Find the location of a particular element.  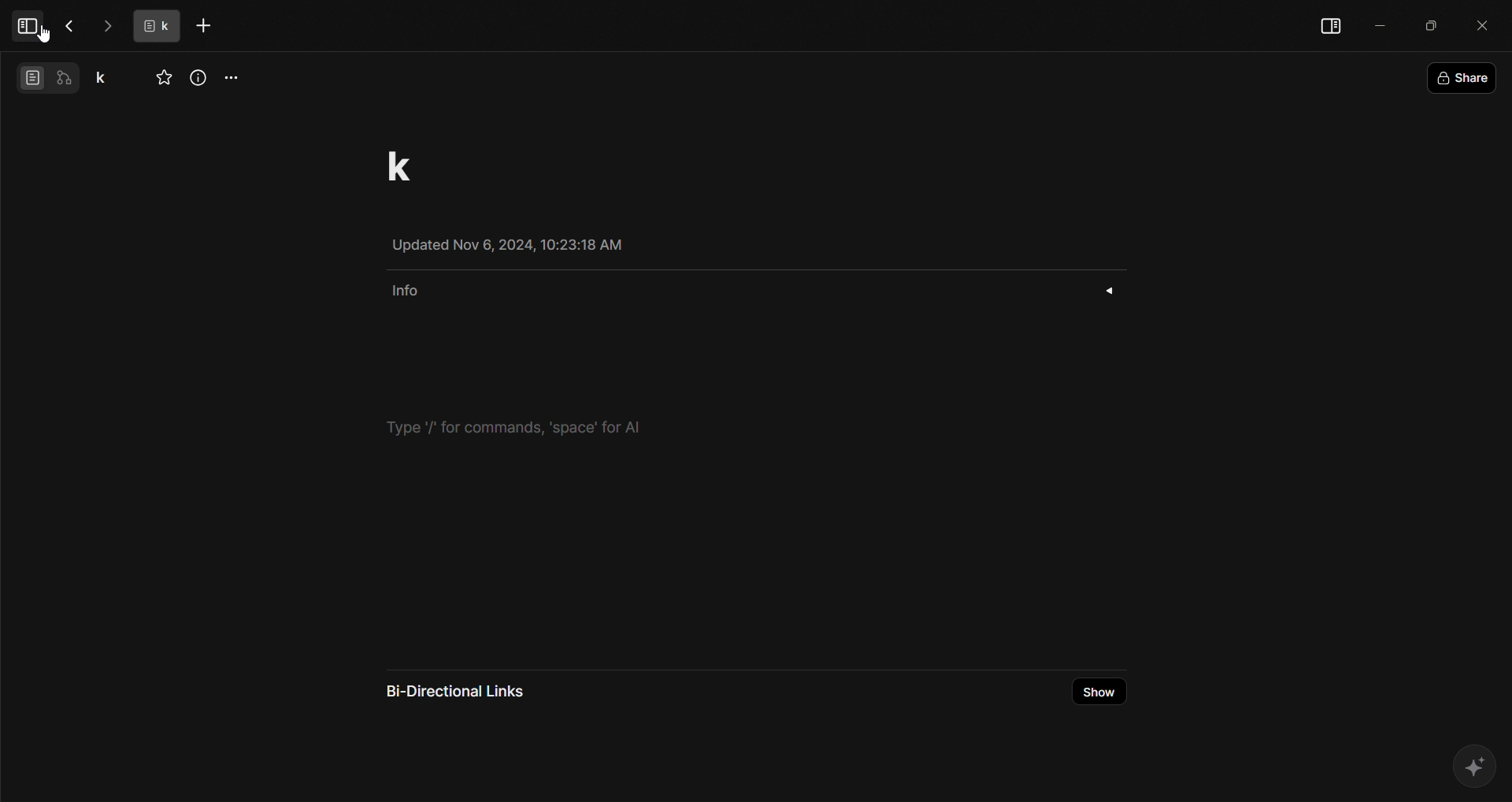

cursor is located at coordinates (46, 37).